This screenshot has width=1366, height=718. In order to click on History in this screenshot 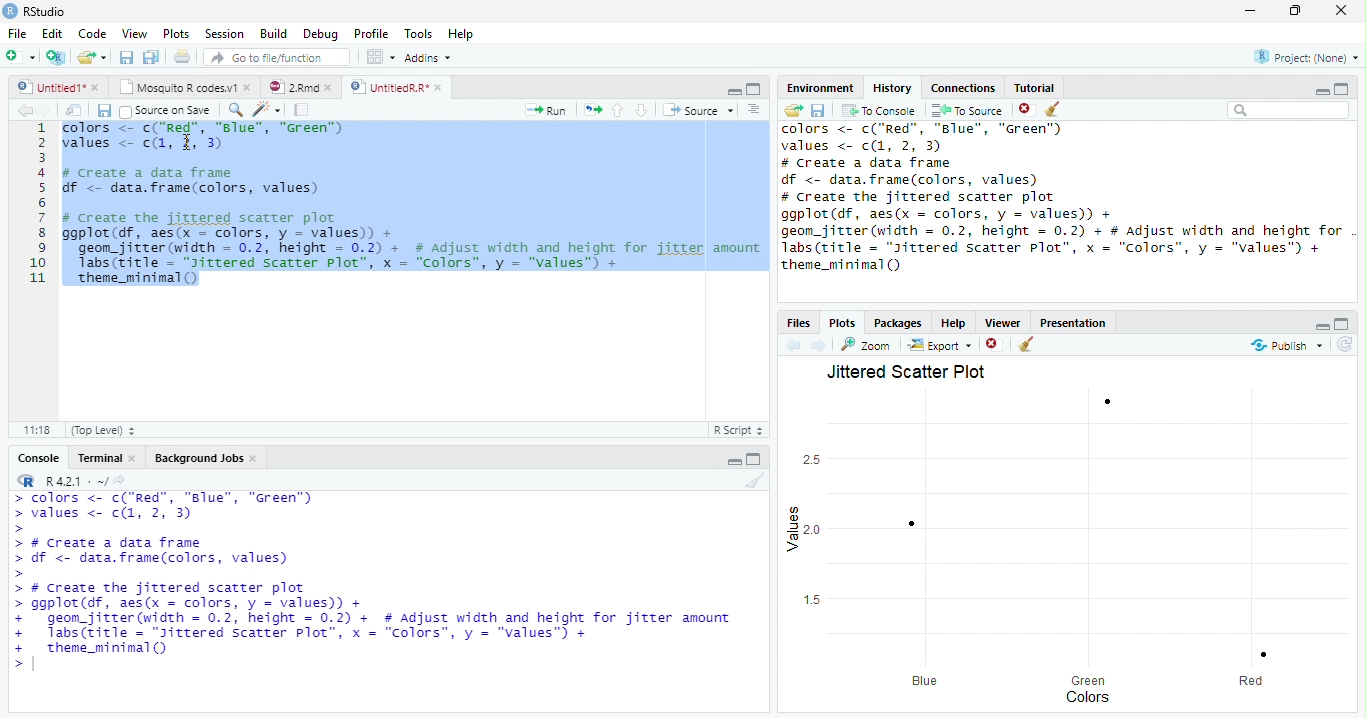, I will do `click(893, 88)`.